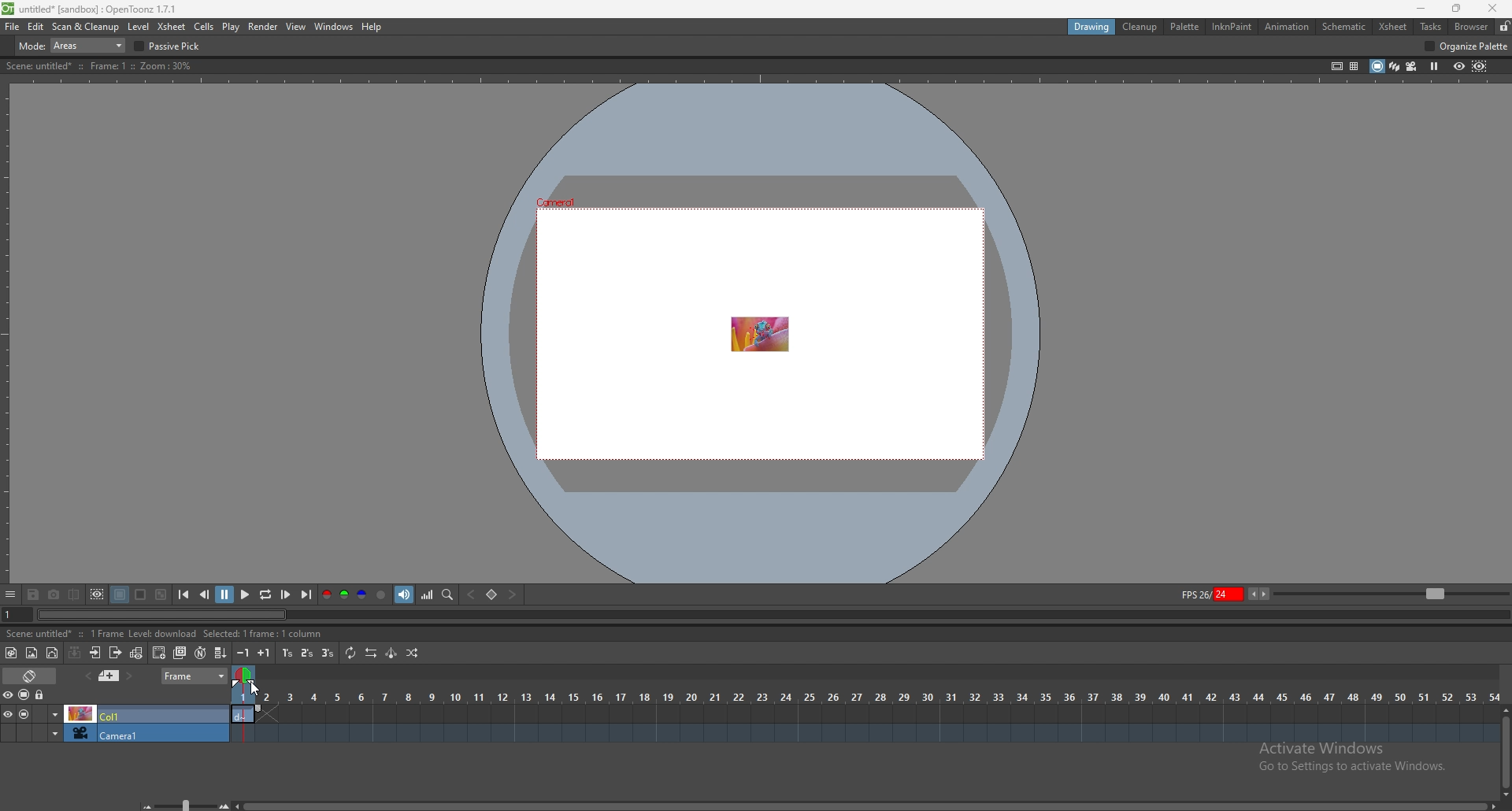 The height and width of the screenshot is (811, 1512). Describe the element at coordinates (205, 594) in the screenshot. I see `previous` at that location.